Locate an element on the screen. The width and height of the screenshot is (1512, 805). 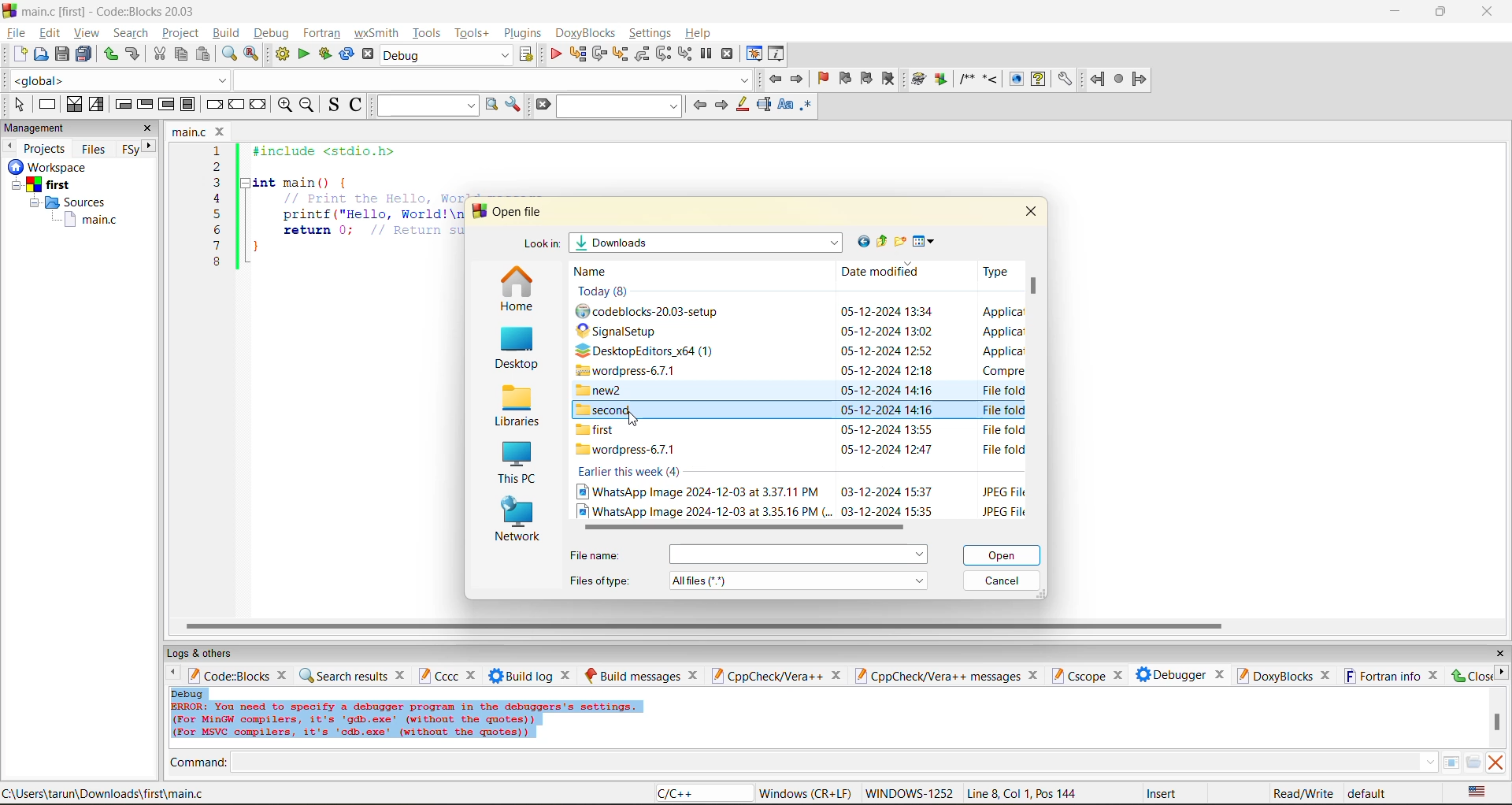
show options window is located at coordinates (513, 105).